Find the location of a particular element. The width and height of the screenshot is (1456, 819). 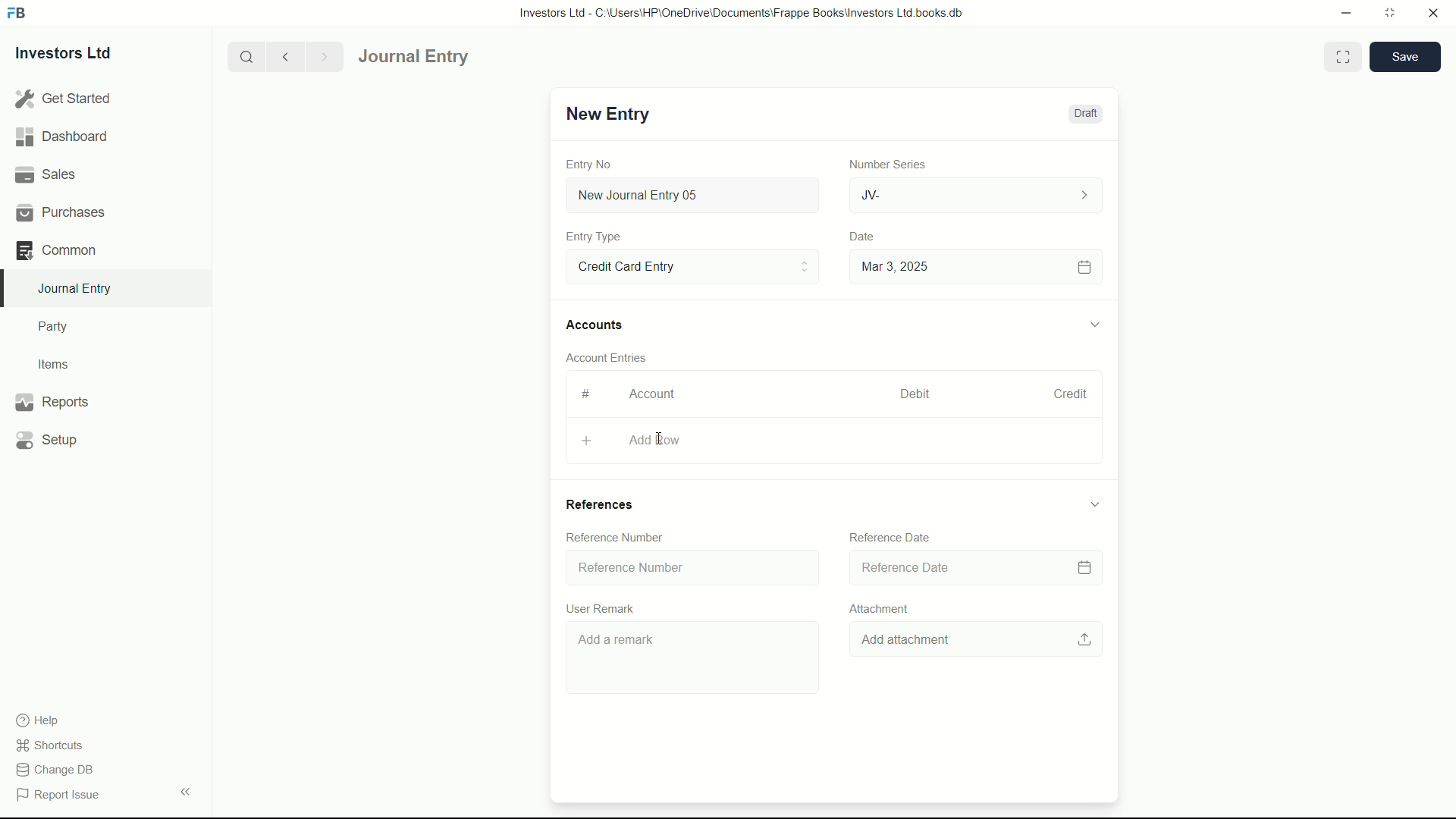

shortcuts is located at coordinates (53, 745).